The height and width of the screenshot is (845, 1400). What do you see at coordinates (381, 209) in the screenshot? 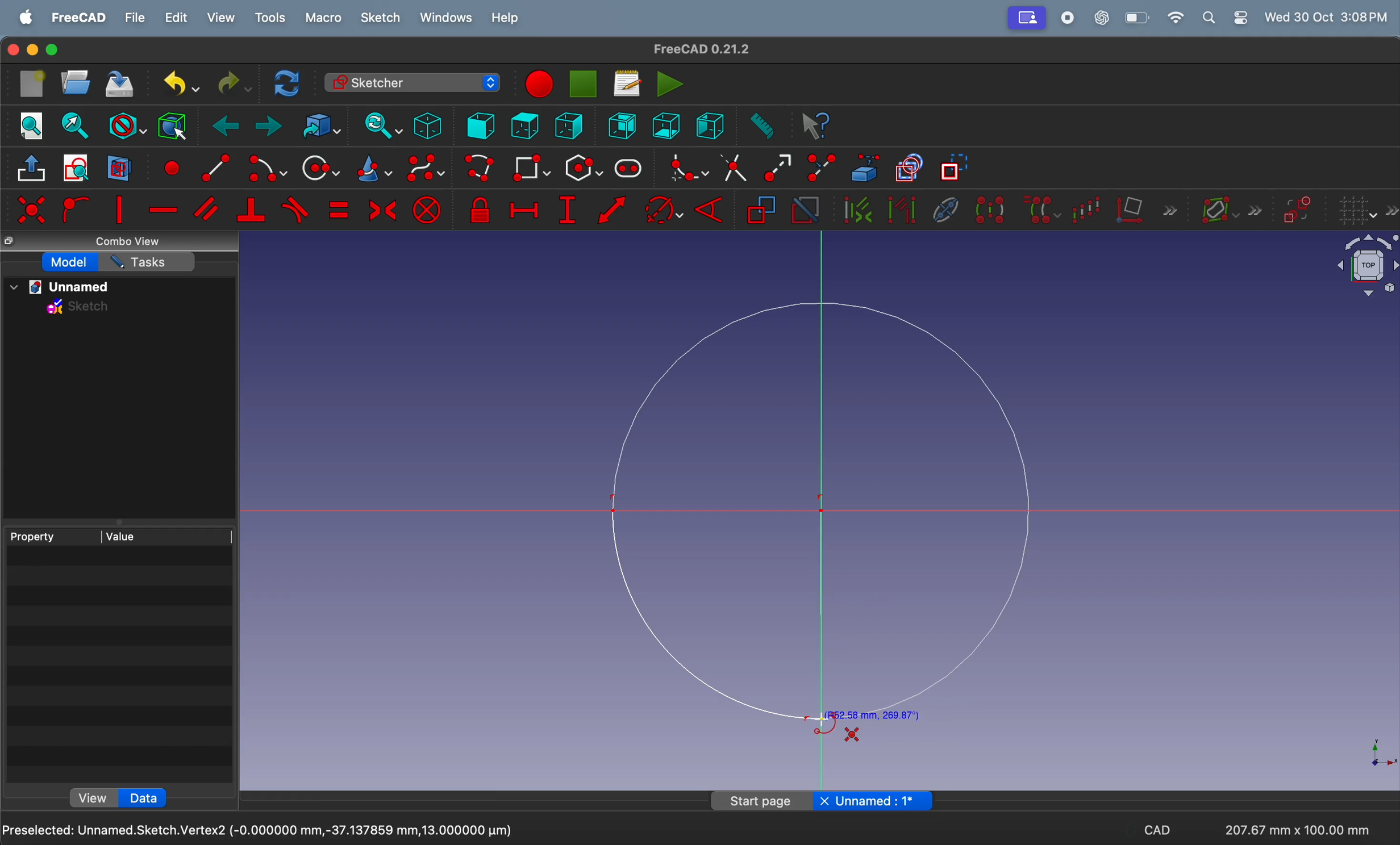
I see `constrain symmetrical` at bounding box center [381, 209].